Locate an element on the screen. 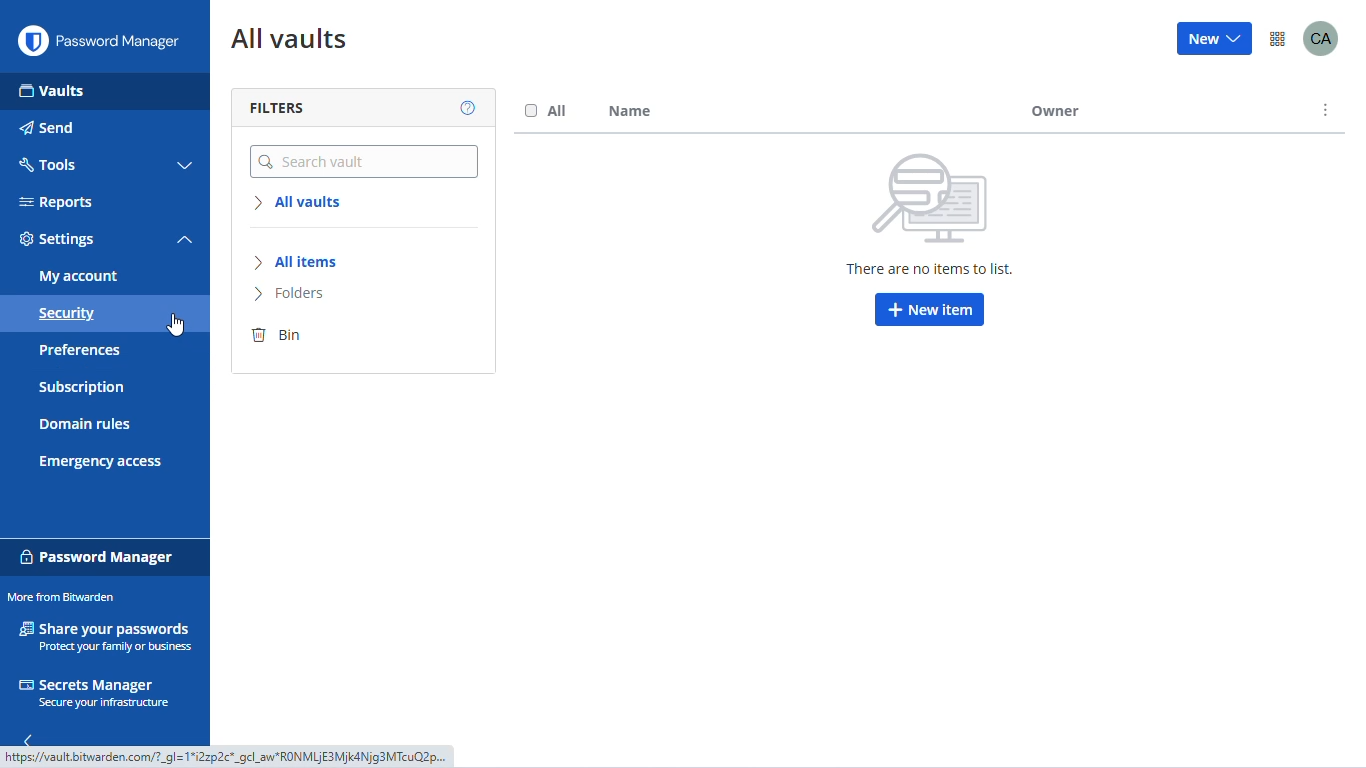  toggle collapse is located at coordinates (187, 166).